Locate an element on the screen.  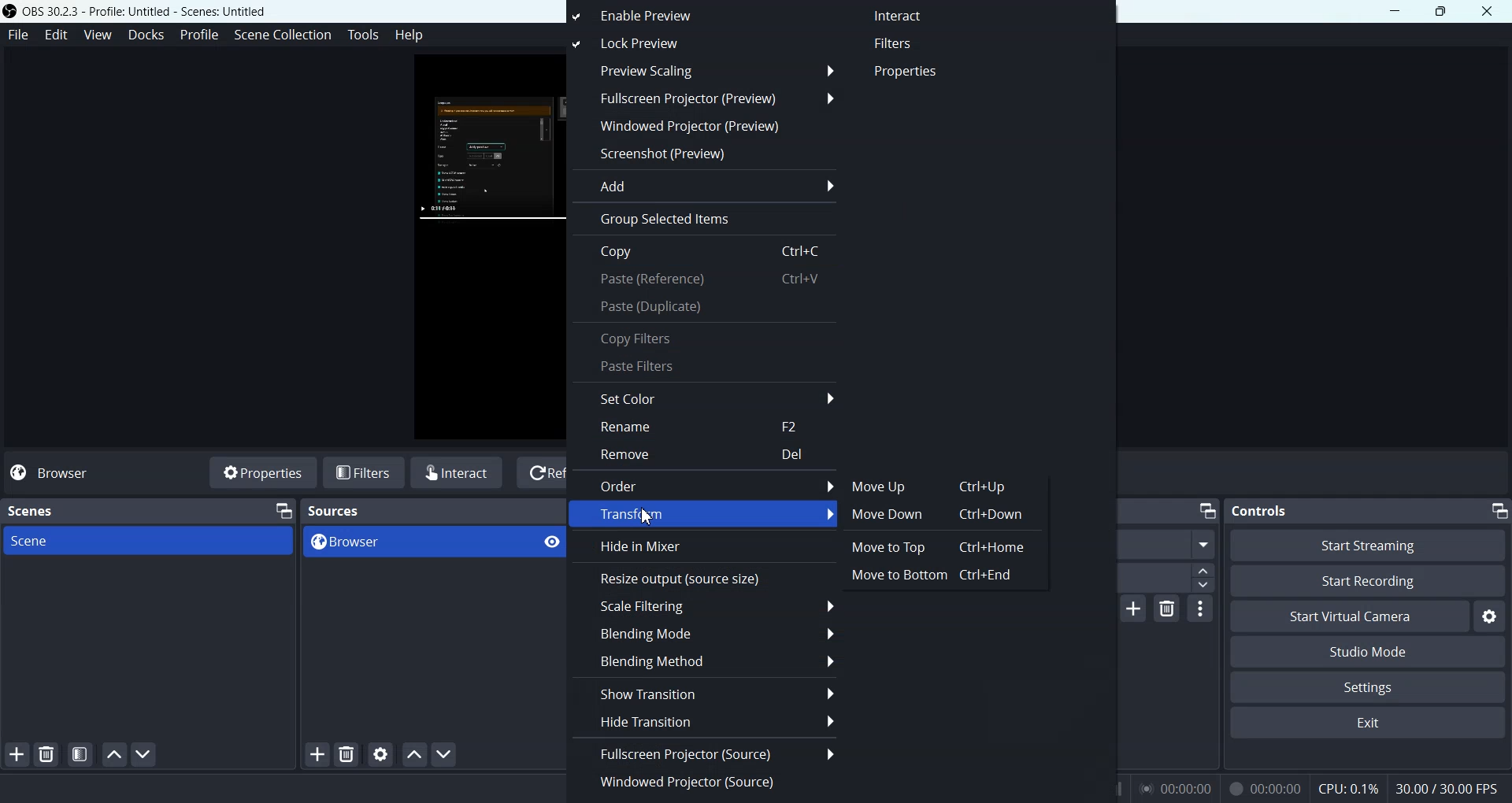
Copy is located at coordinates (705, 252).